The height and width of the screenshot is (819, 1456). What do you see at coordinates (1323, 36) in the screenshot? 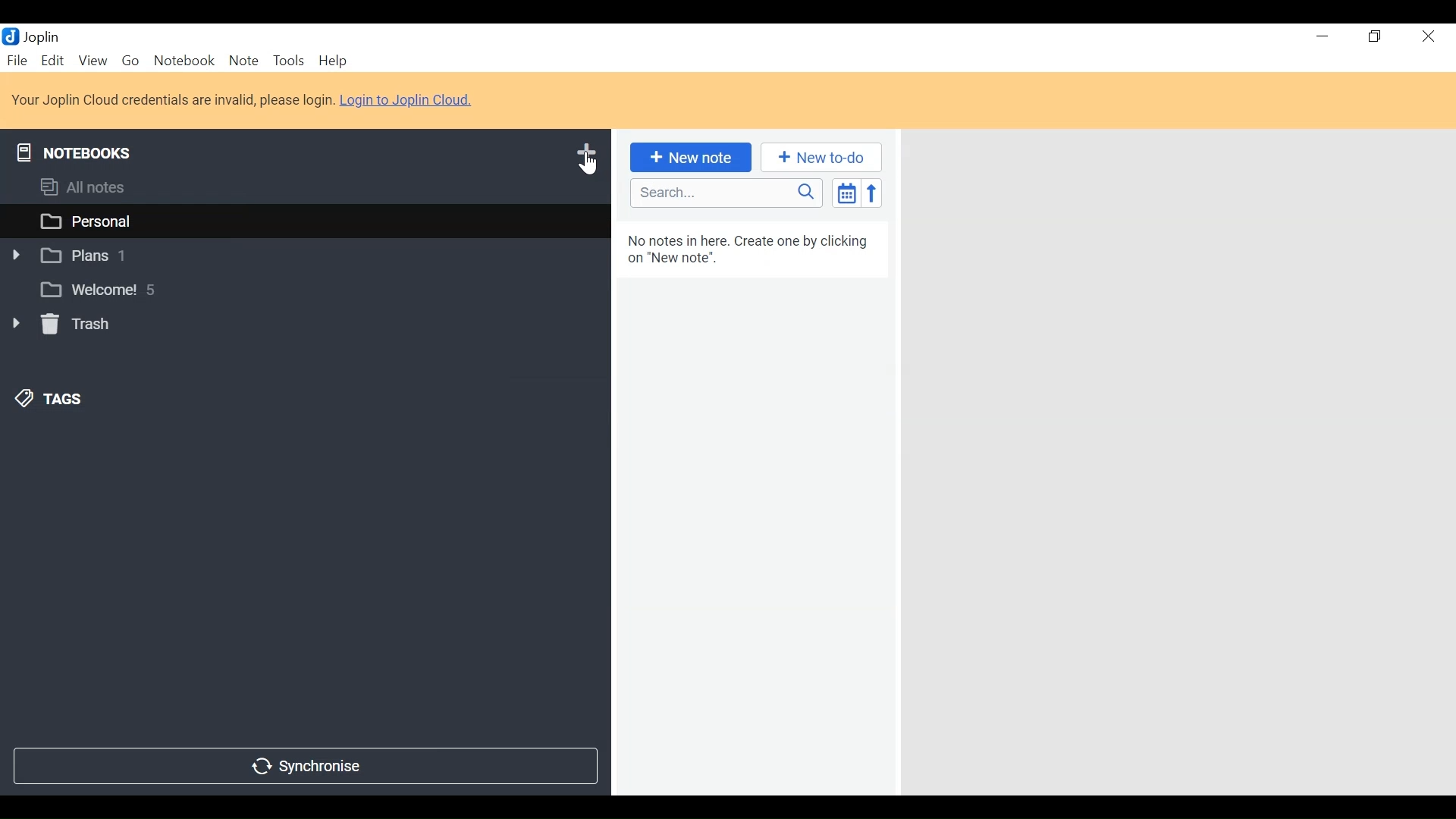
I see `Minimize` at bounding box center [1323, 36].